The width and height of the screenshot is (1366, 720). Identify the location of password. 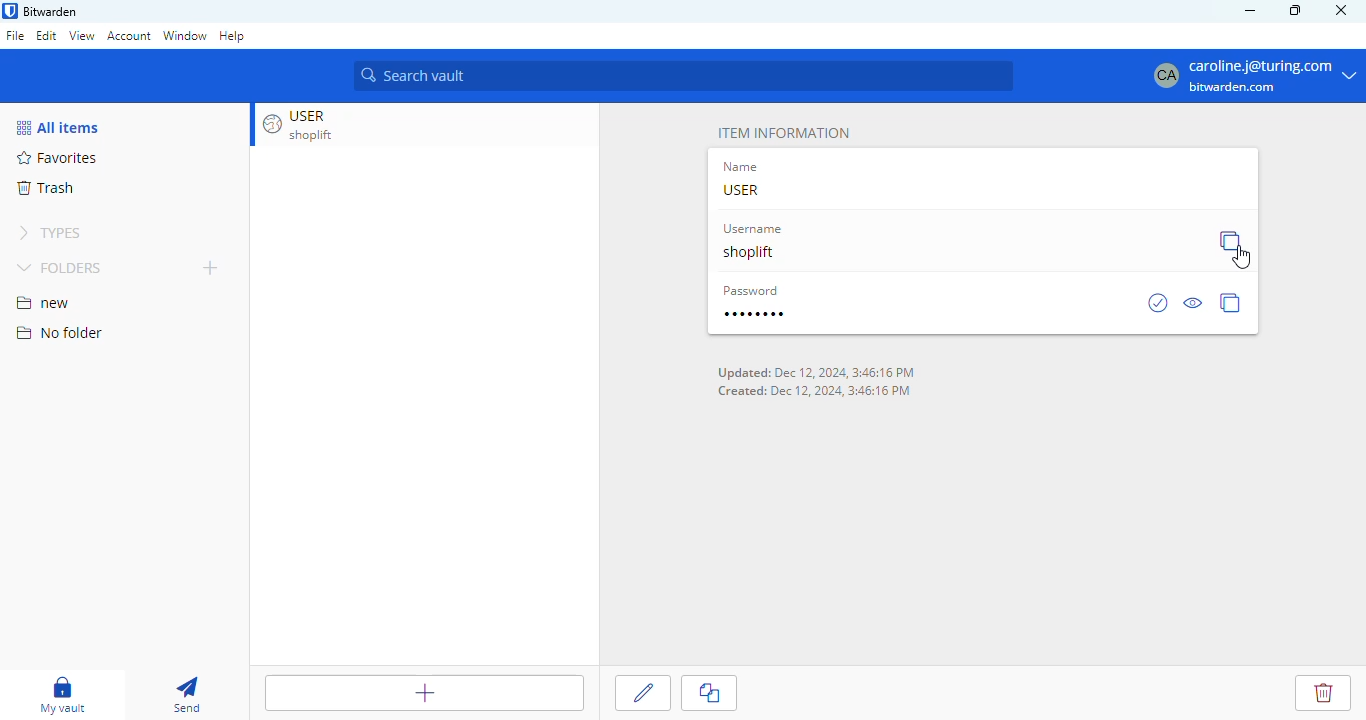
(755, 313).